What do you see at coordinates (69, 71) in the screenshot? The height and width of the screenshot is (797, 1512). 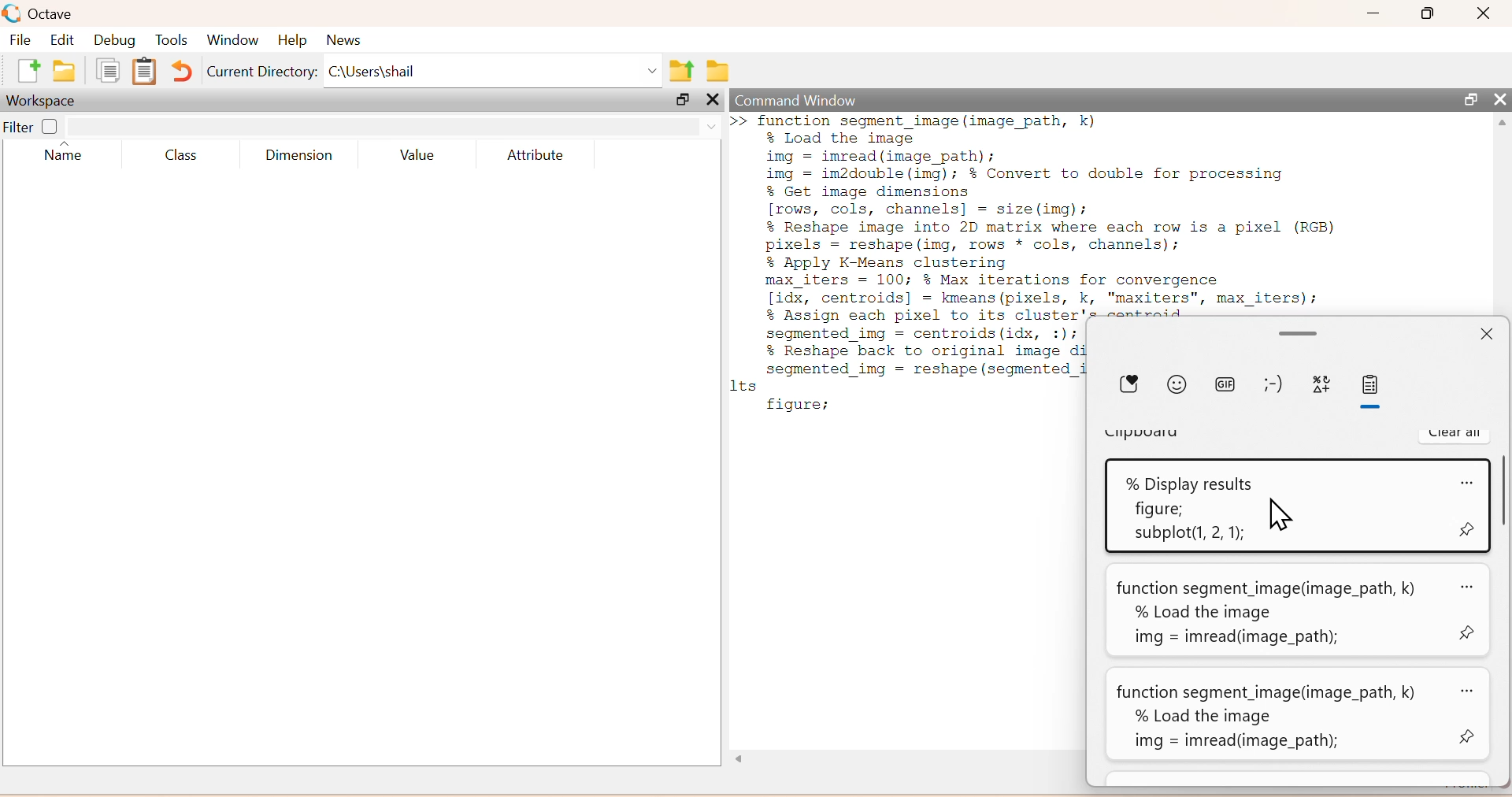 I see `open an existing file in directory` at bounding box center [69, 71].